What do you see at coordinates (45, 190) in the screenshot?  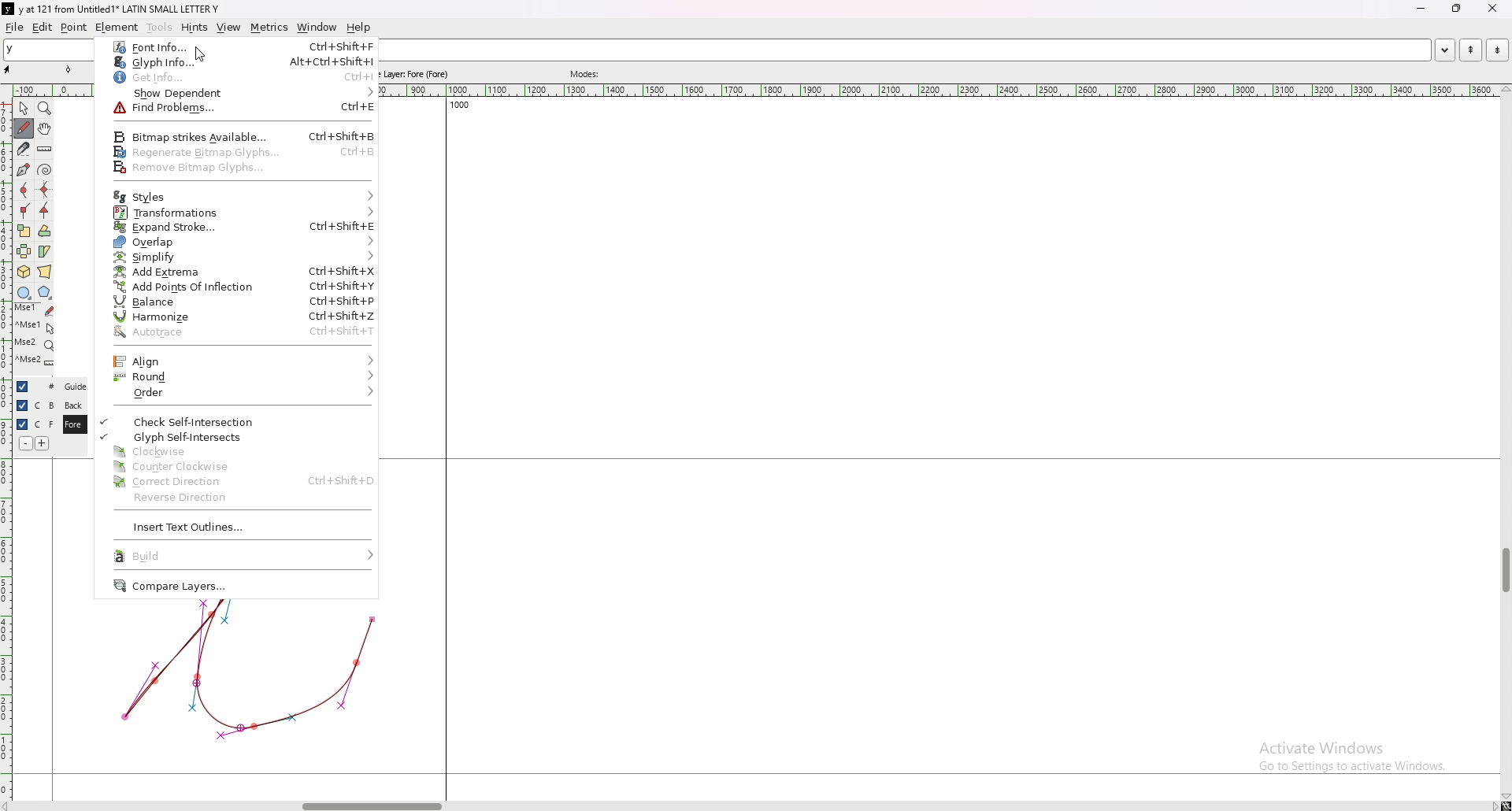 I see `add a horizontal or vertical curve point` at bounding box center [45, 190].